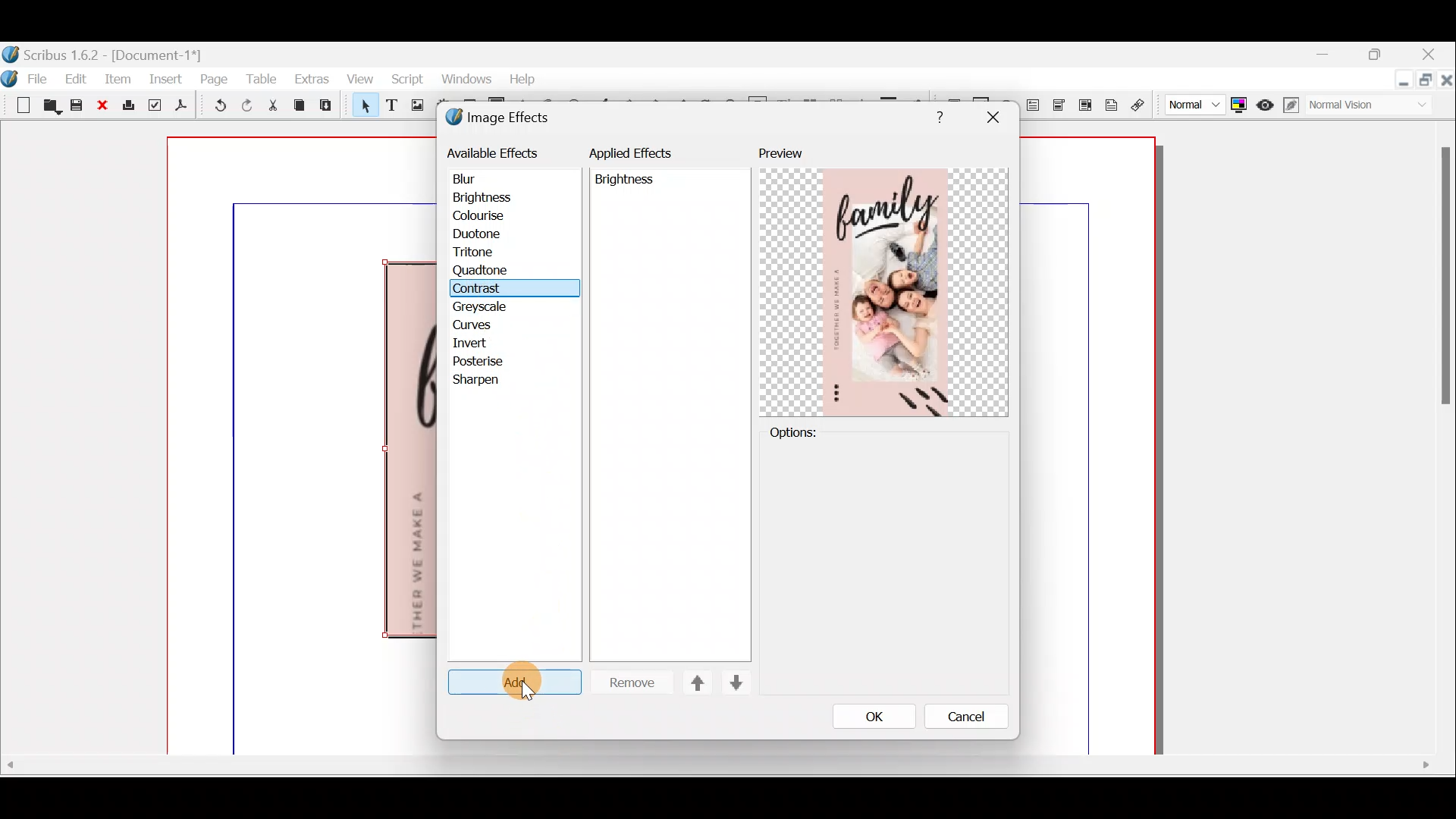 Image resolution: width=1456 pixels, height=819 pixels. I want to click on Blur, so click(479, 180).